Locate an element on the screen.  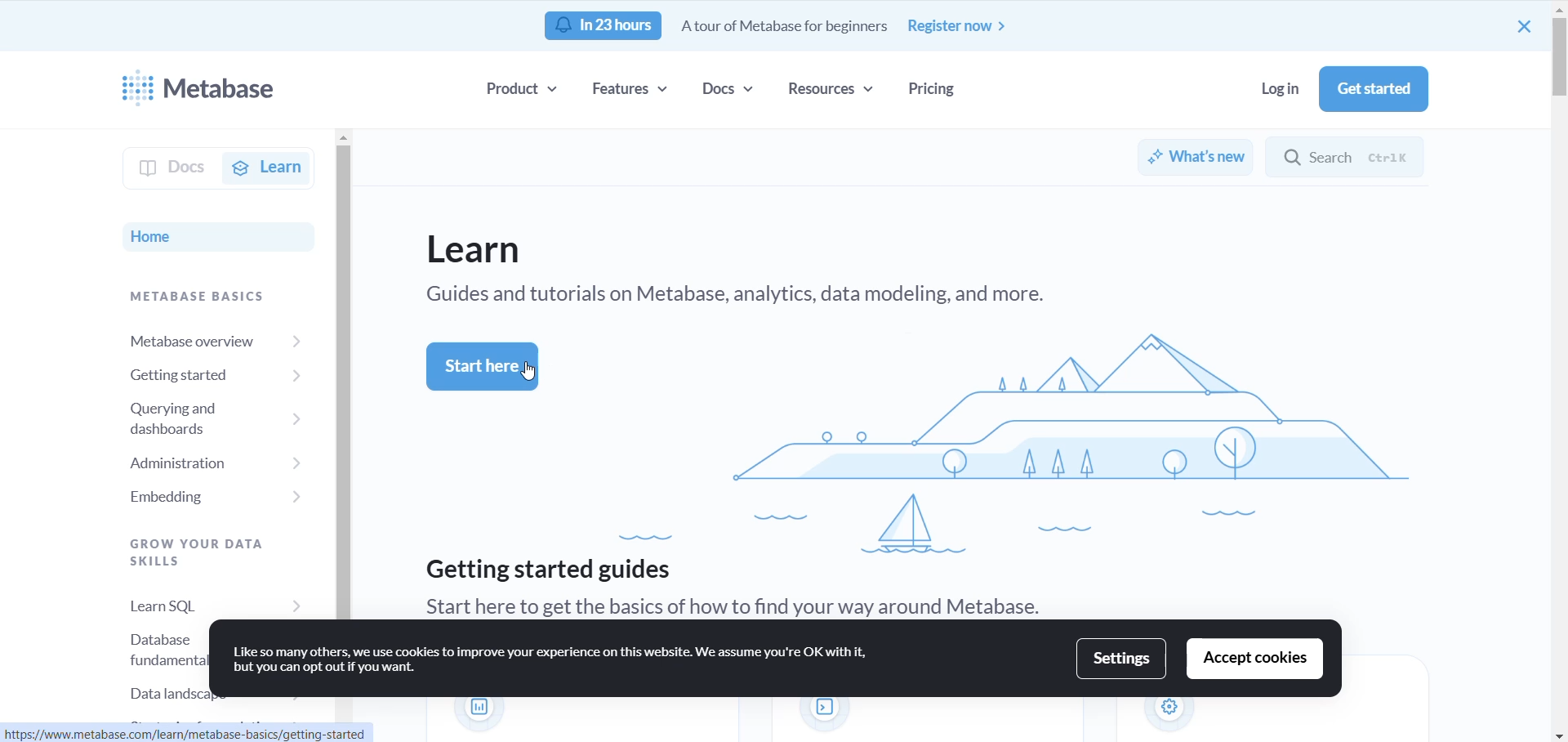
text is located at coordinates (556, 662).